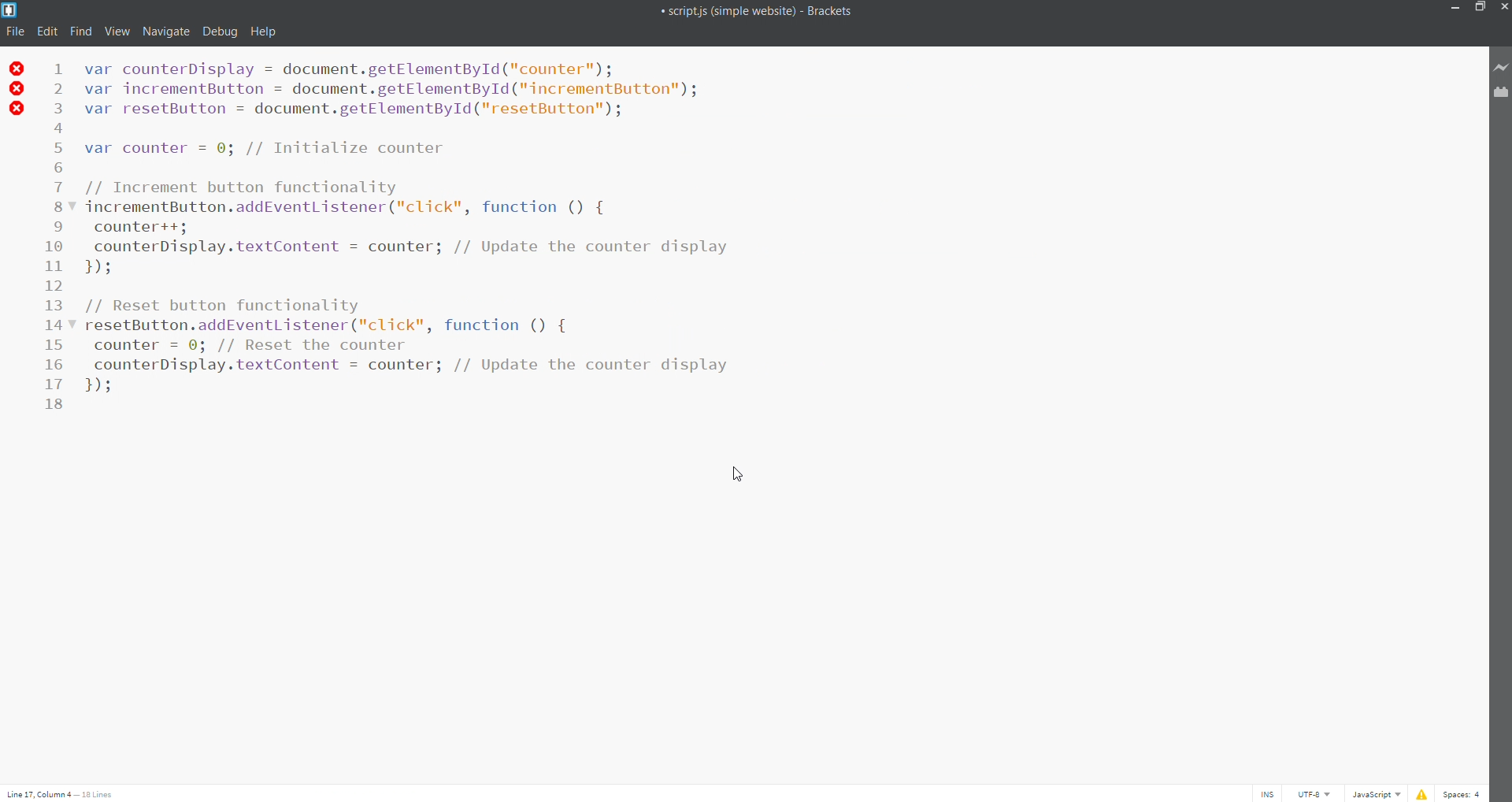 This screenshot has width=1512, height=802. What do you see at coordinates (68, 795) in the screenshot?
I see `Line 17, Column 4 -18 lines` at bounding box center [68, 795].